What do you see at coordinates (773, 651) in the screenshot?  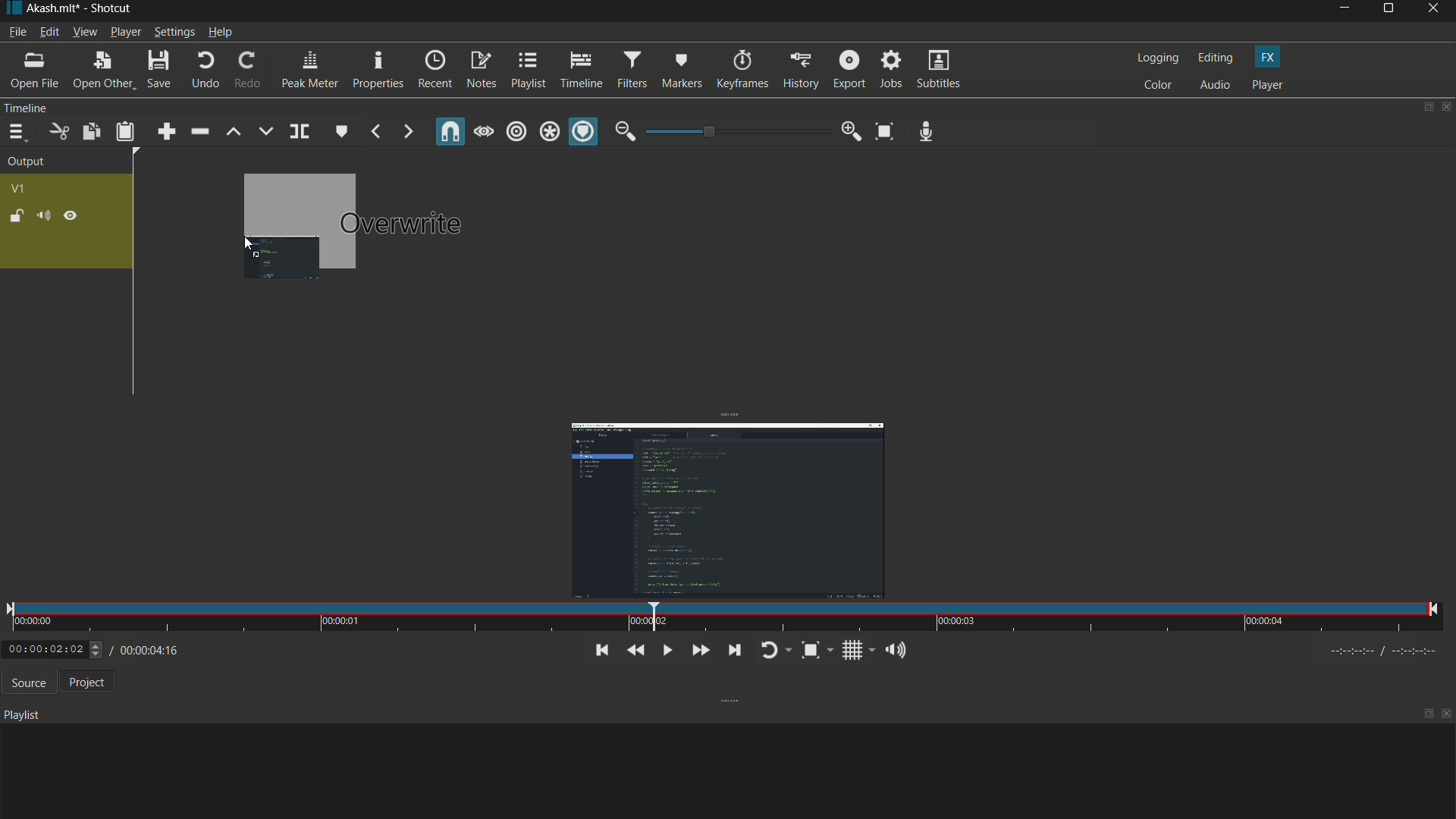 I see `toggle player looping` at bounding box center [773, 651].